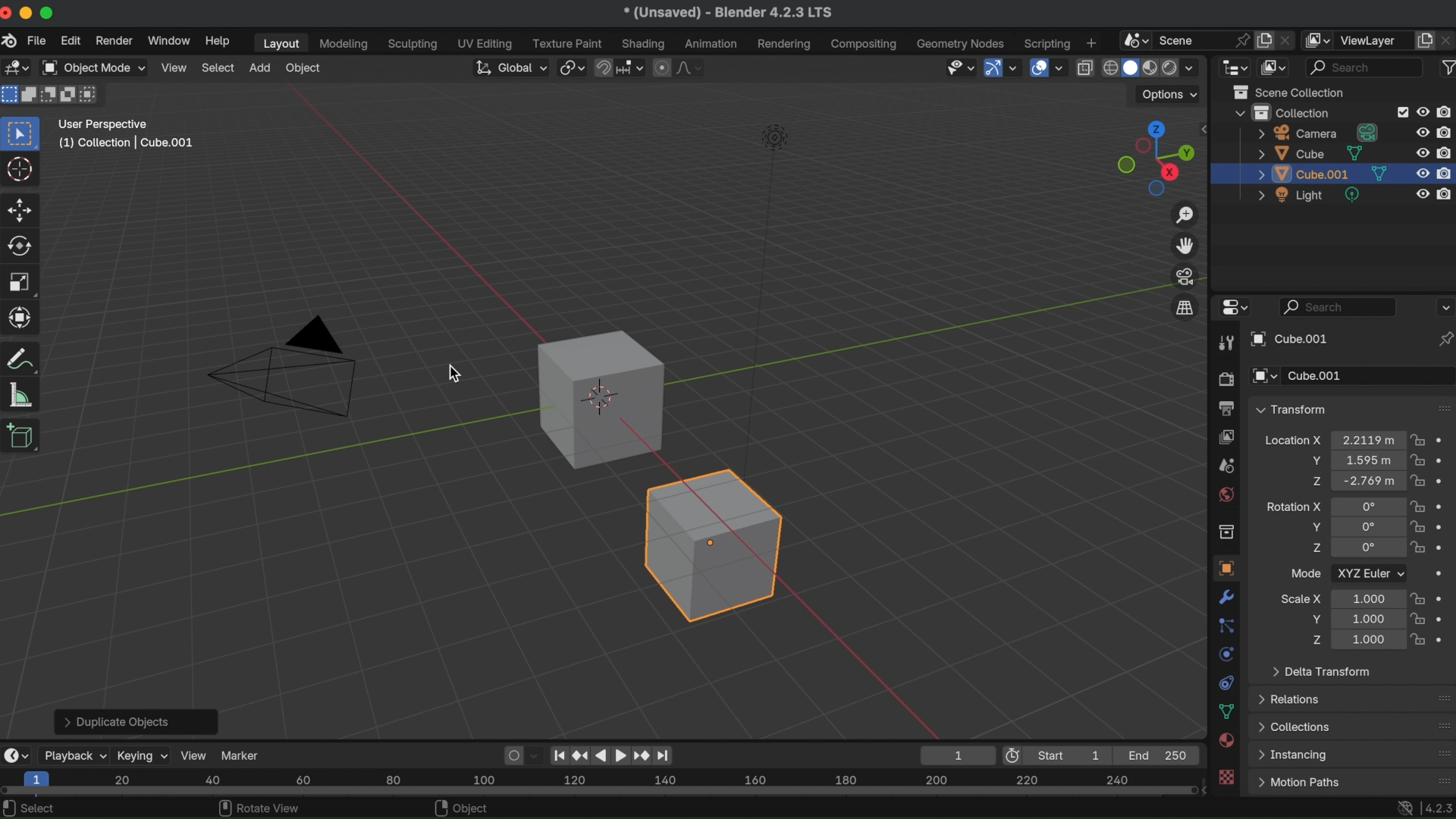 Image resolution: width=1456 pixels, height=819 pixels. Describe the element at coordinates (690, 67) in the screenshot. I see `proportional editing fall off` at that location.